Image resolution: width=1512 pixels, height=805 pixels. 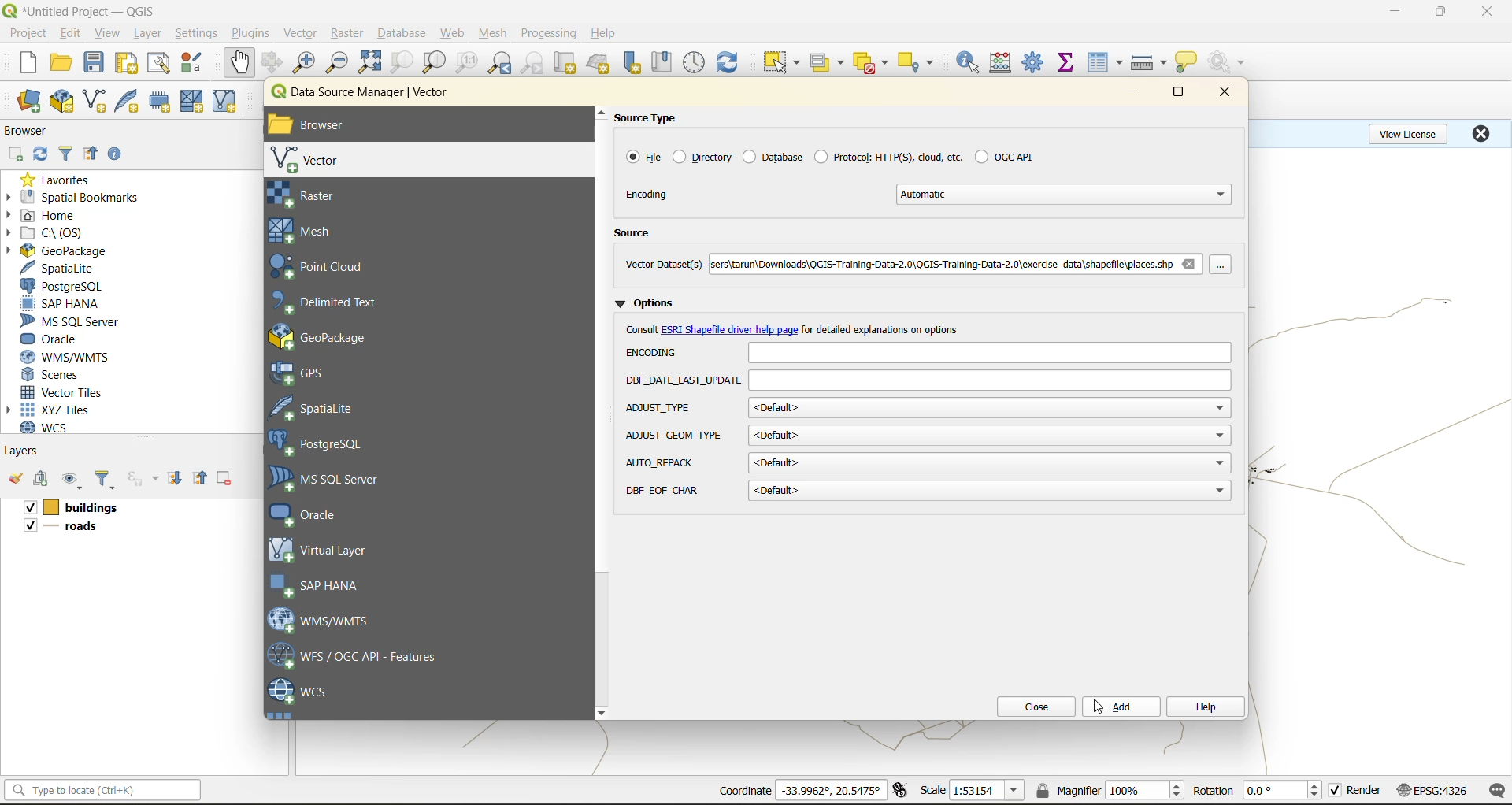 What do you see at coordinates (683, 381) in the screenshot?
I see `dbf date last update` at bounding box center [683, 381].